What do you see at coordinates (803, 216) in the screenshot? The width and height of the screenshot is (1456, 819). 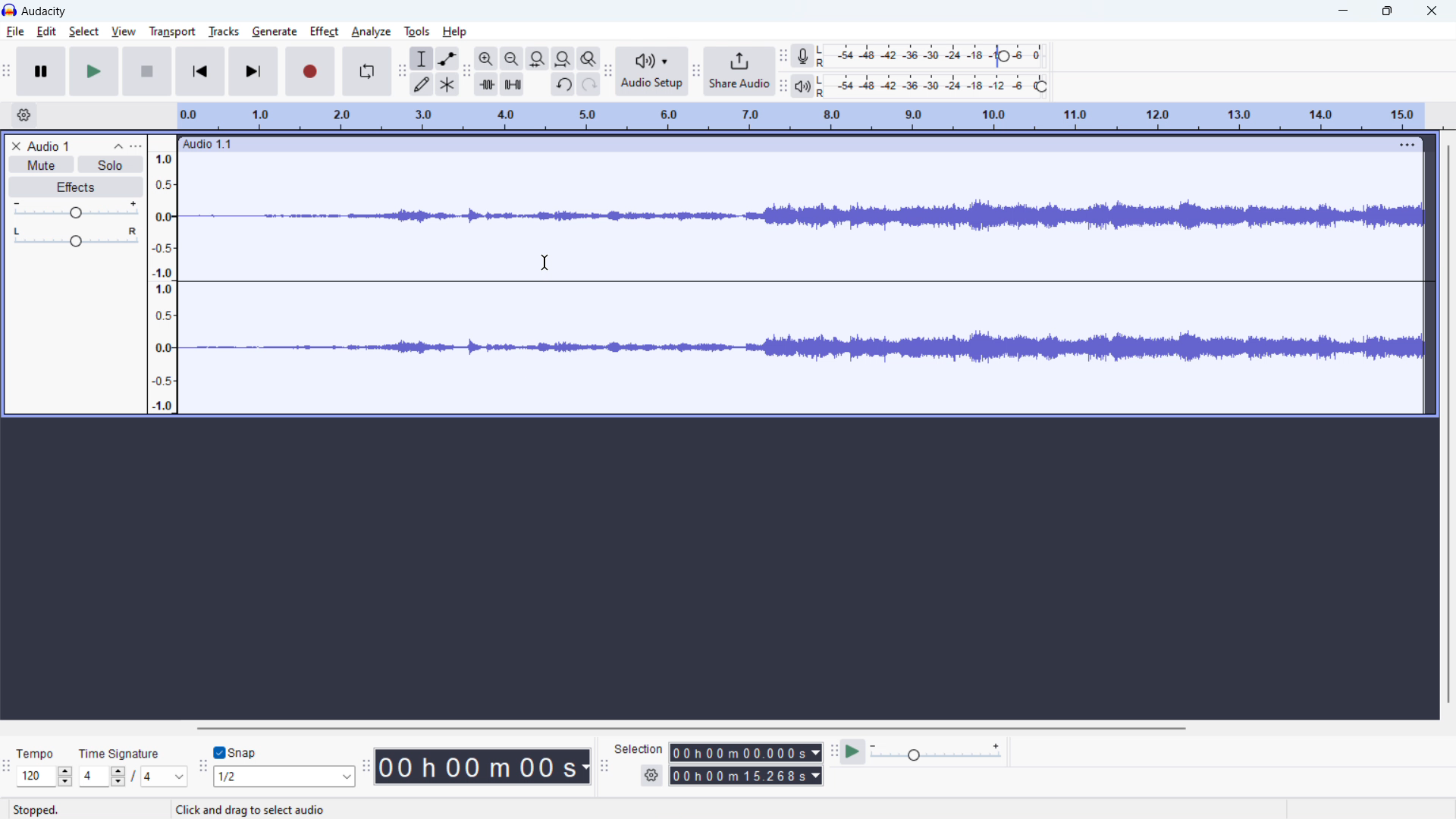 I see `soundtrack` at bounding box center [803, 216].